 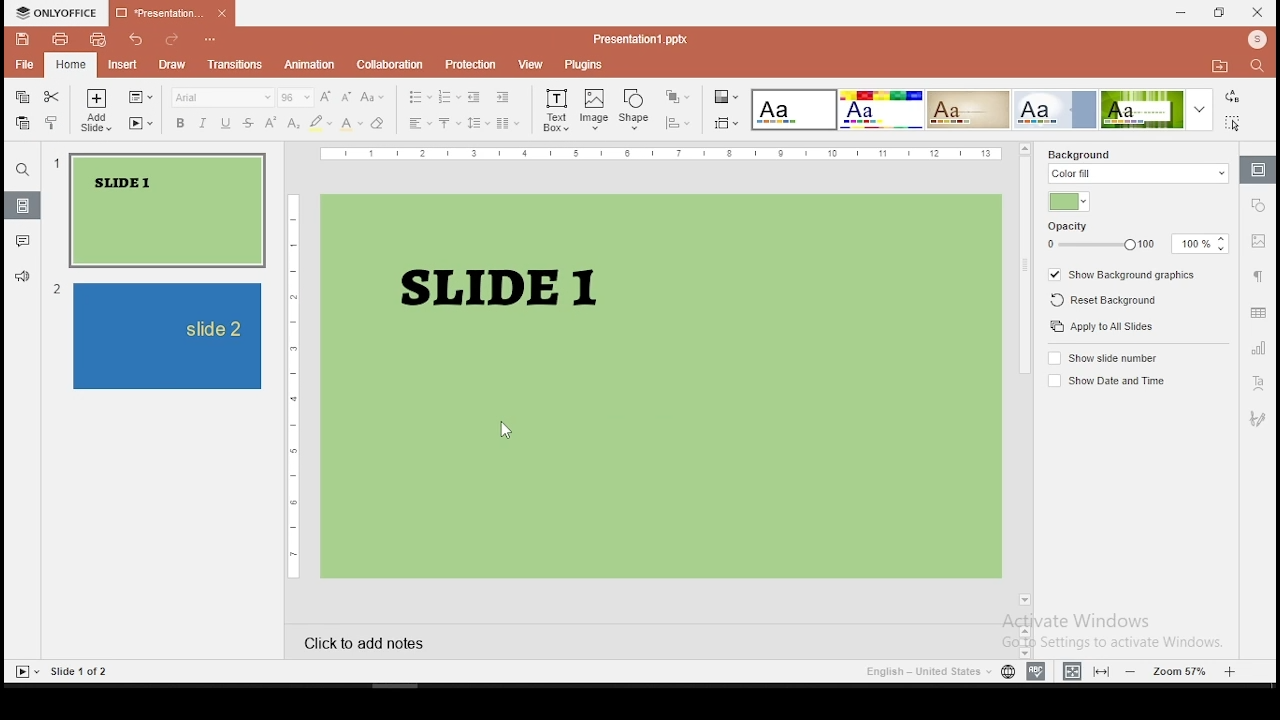 I want to click on opacity input, so click(x=1201, y=245).